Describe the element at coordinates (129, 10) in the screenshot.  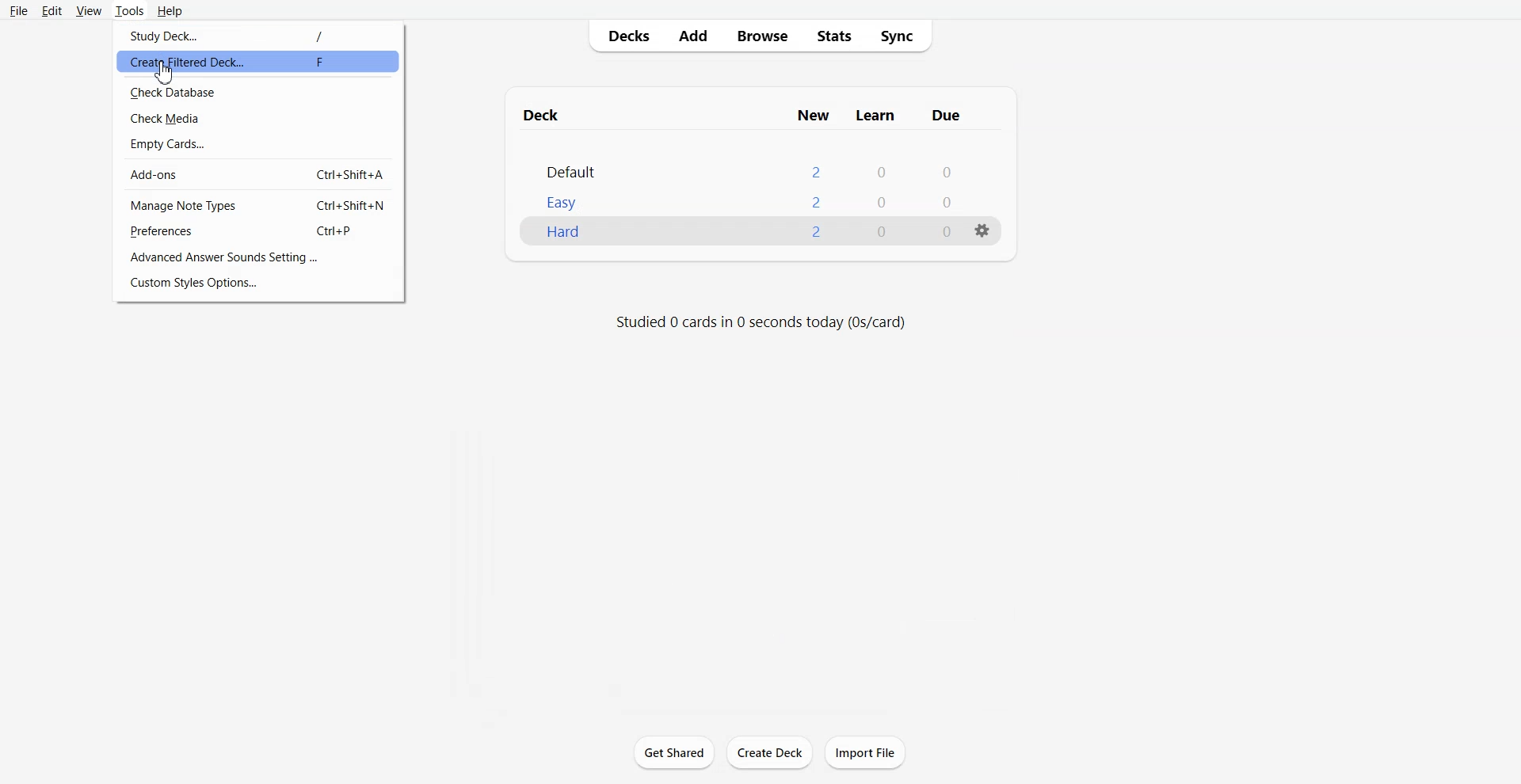
I see `Tools` at that location.